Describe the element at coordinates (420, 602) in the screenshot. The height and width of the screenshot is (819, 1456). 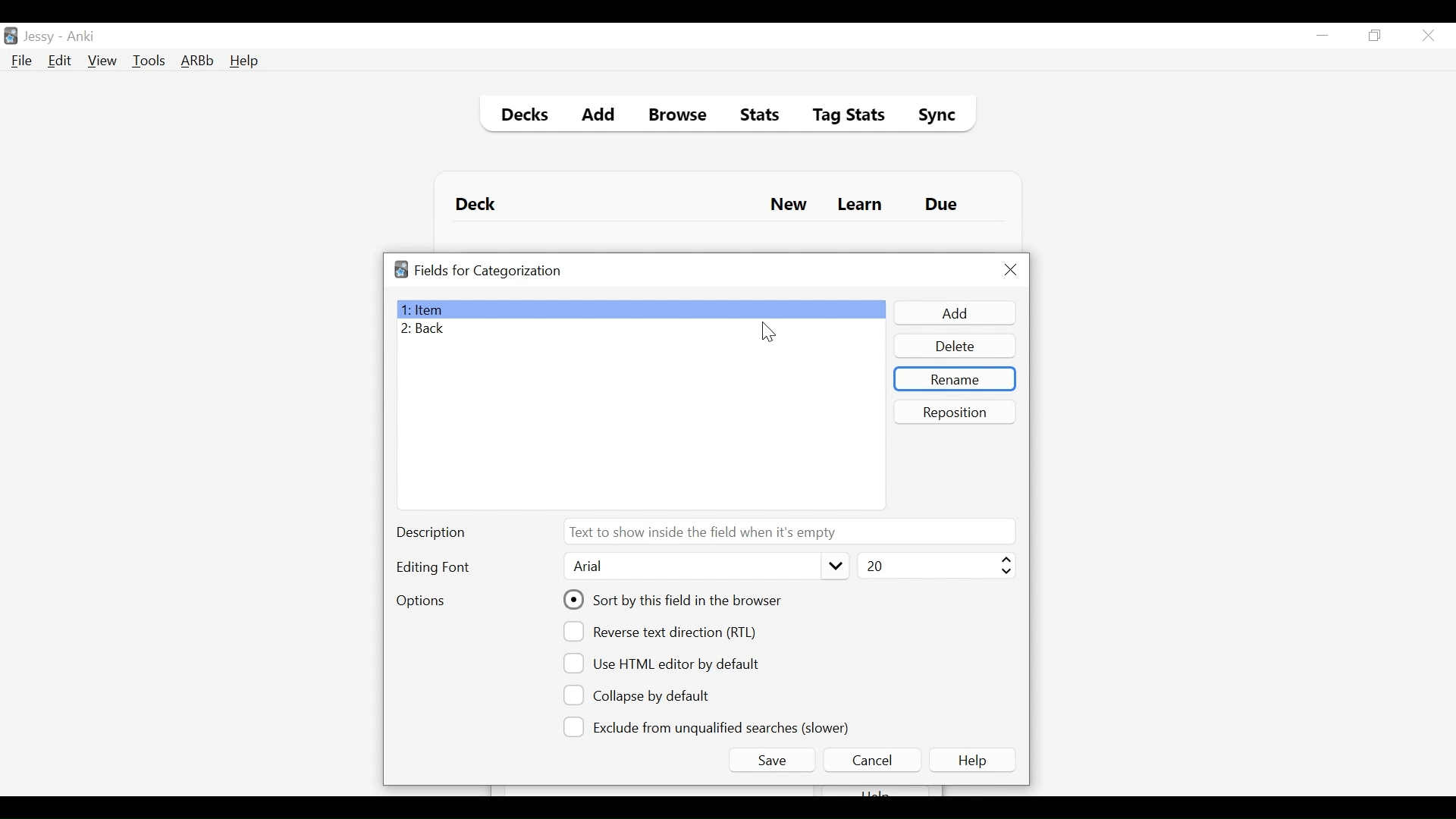
I see `Options` at that location.